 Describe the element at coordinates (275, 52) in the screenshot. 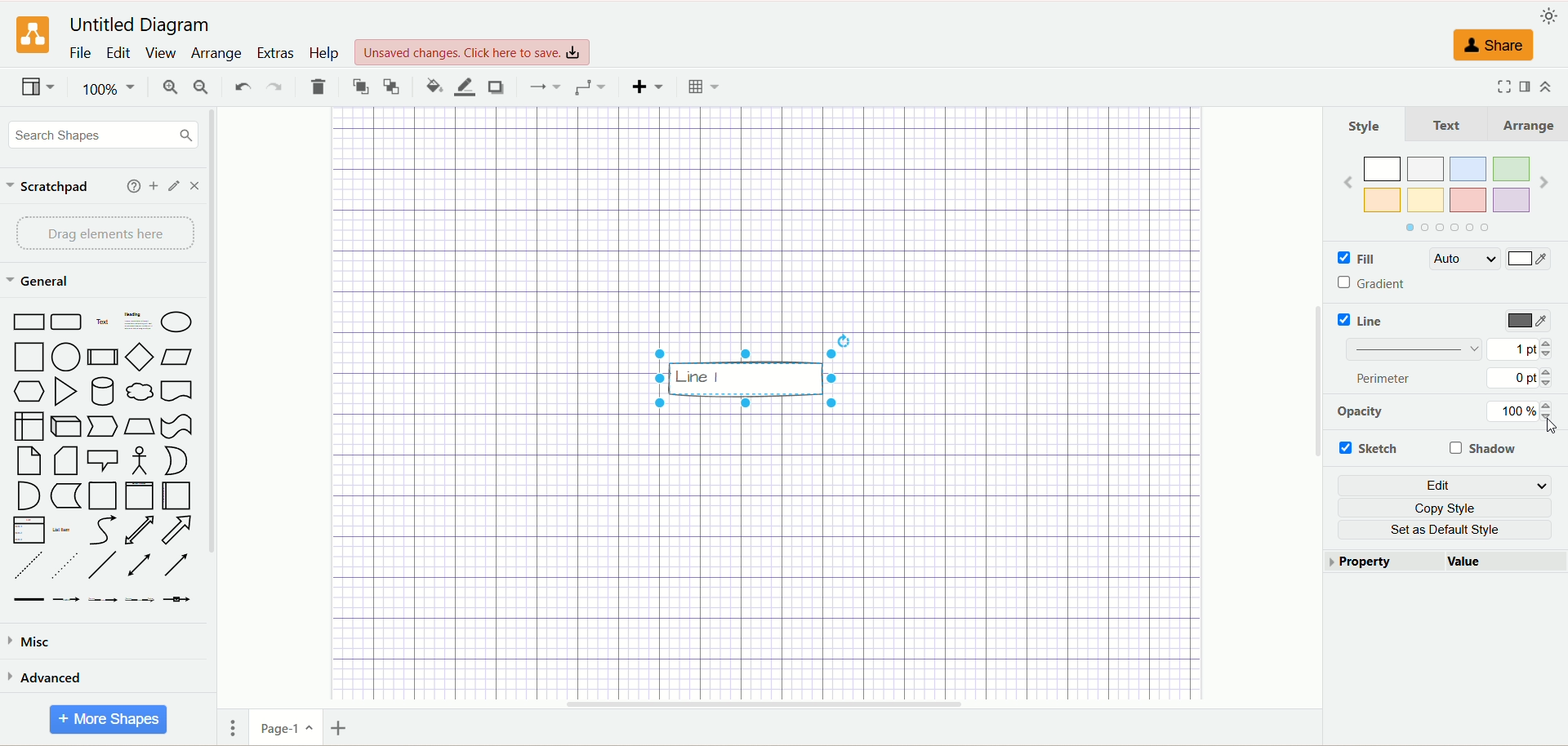

I see `extras` at that location.